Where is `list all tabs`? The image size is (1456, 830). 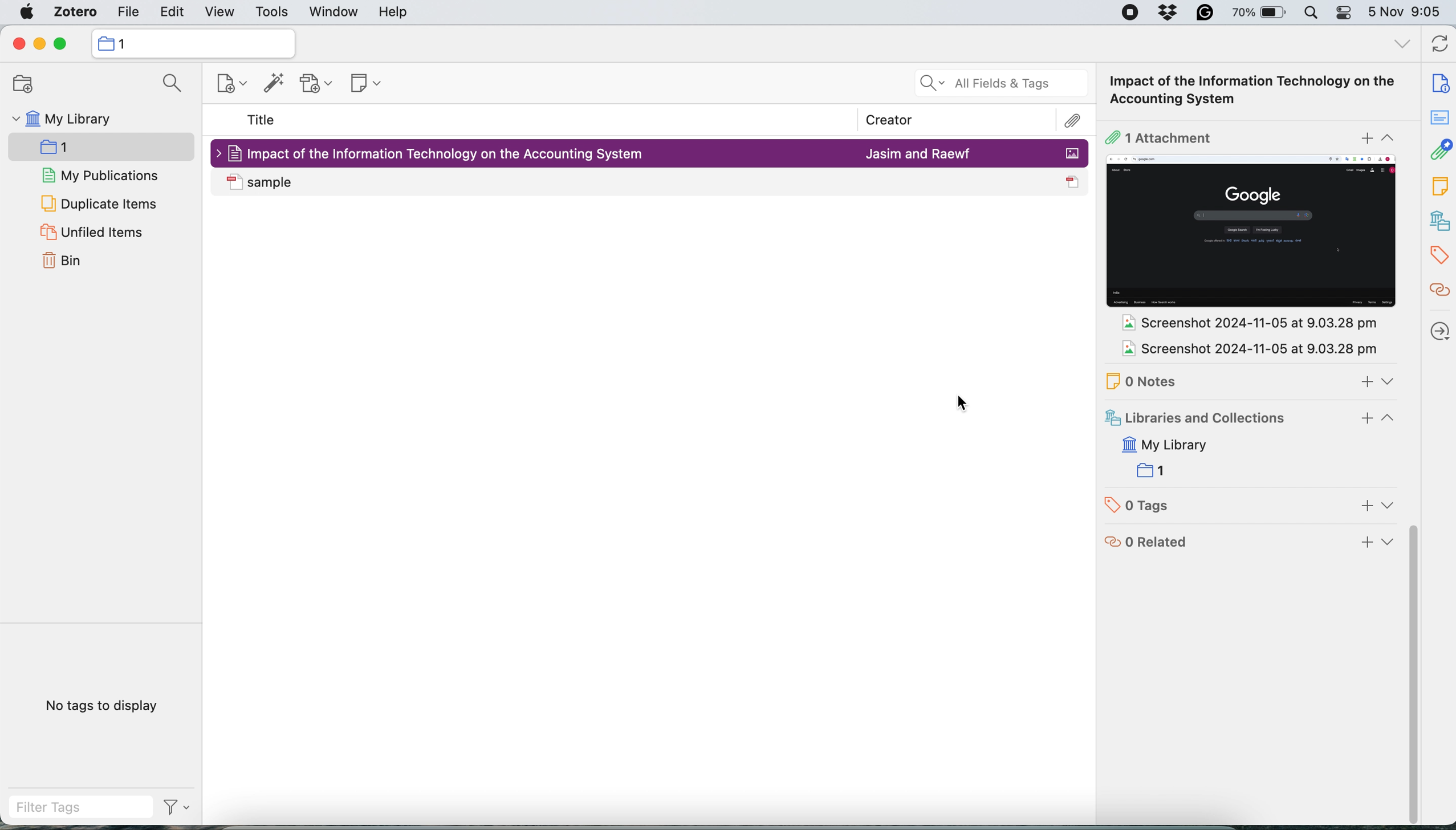
list all tabs is located at coordinates (1400, 44).